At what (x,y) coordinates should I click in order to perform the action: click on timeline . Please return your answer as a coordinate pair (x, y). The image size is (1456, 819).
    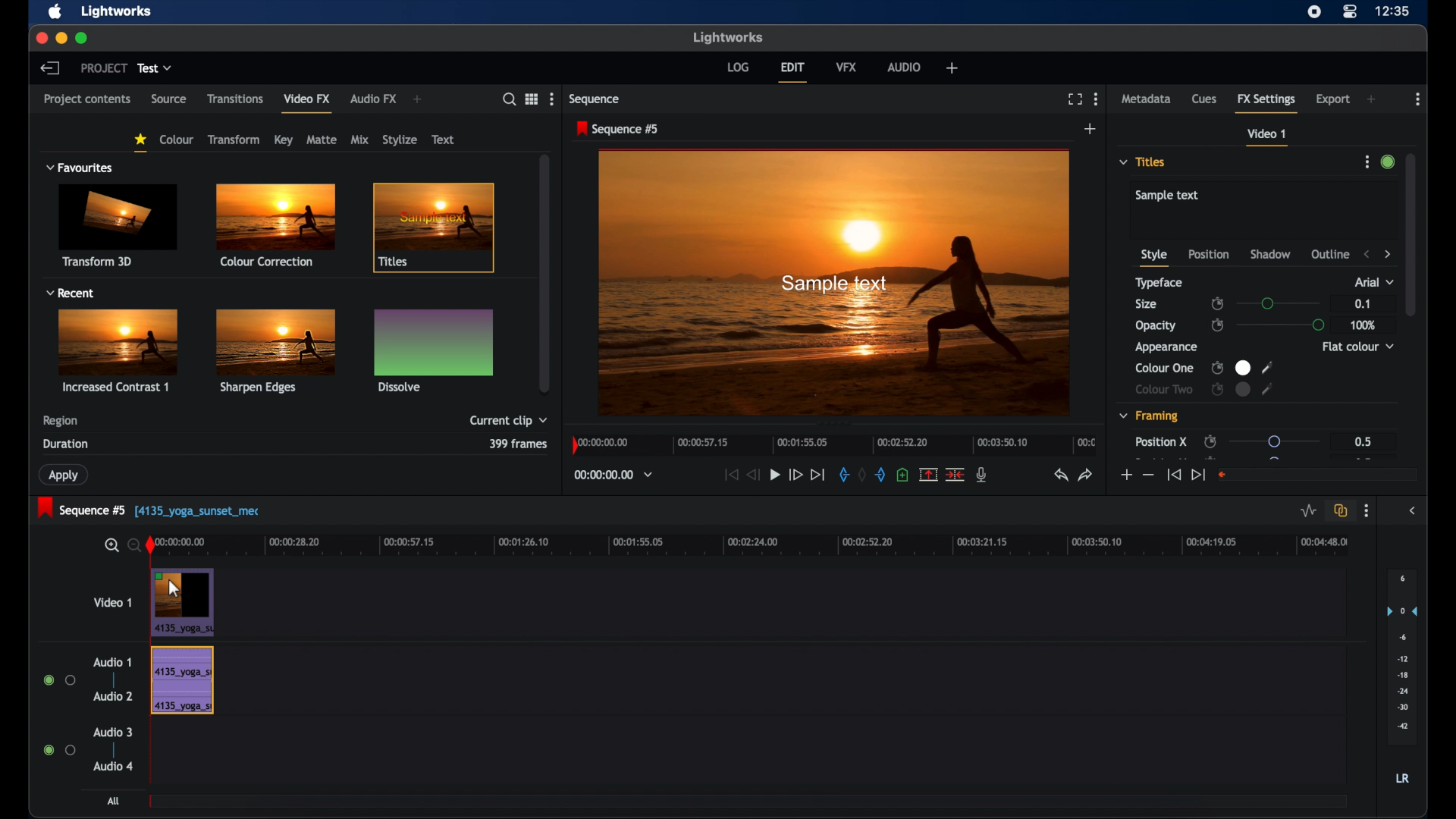
    Looking at the image, I should click on (750, 544).